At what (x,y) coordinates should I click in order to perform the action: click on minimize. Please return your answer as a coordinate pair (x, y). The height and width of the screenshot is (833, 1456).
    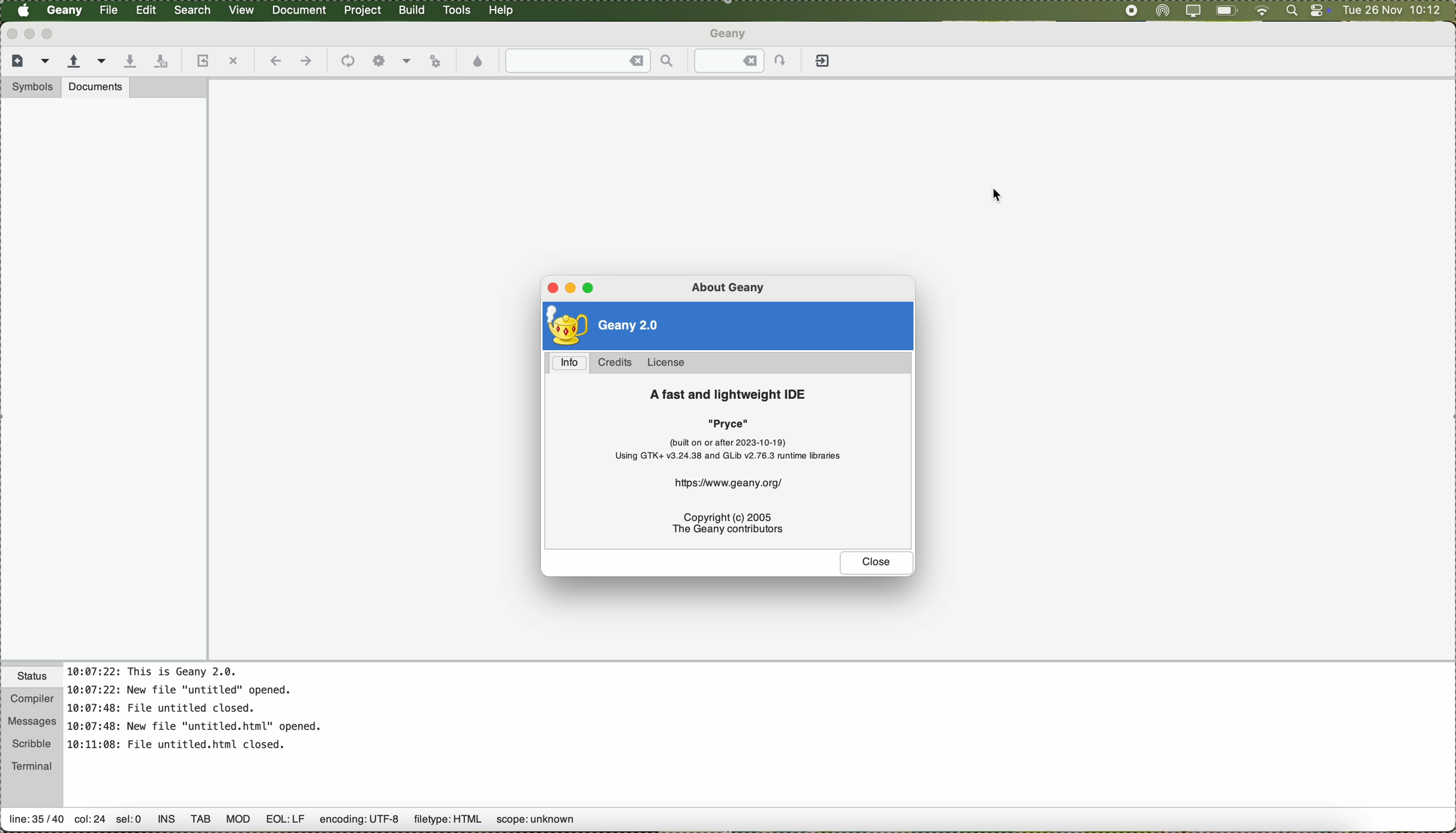
    Looking at the image, I should click on (571, 288).